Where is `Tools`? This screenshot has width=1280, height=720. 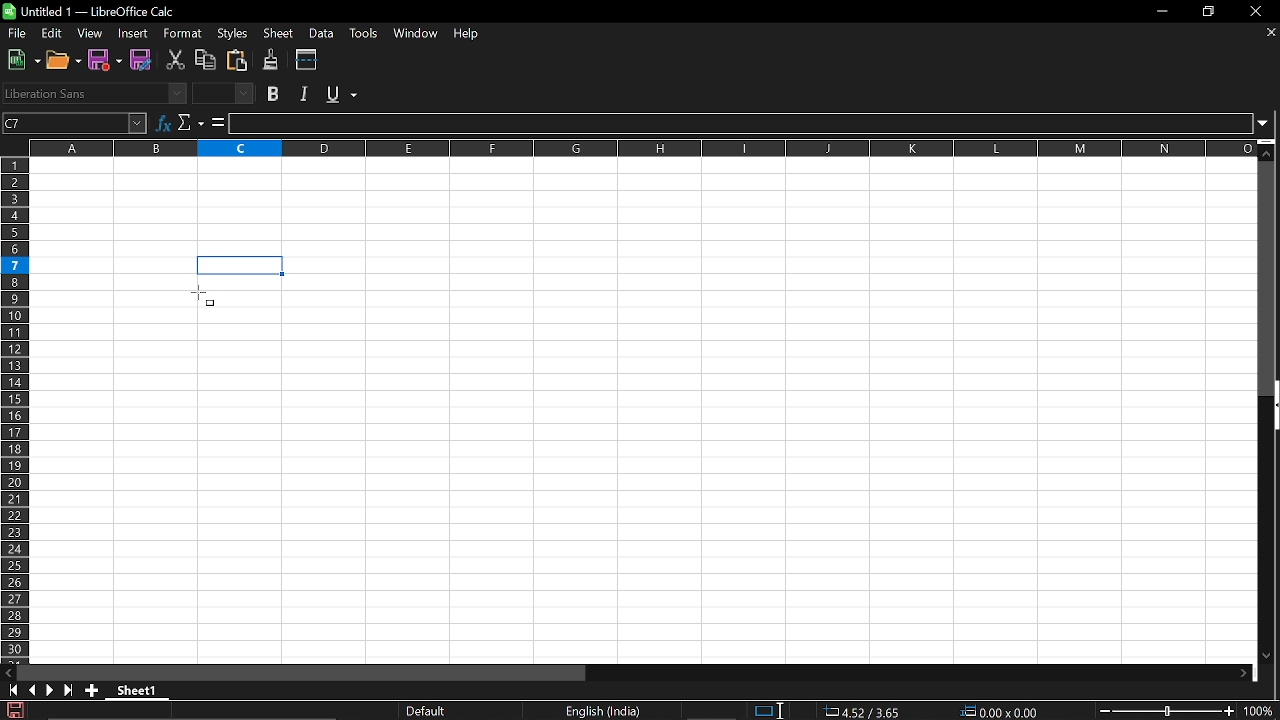 Tools is located at coordinates (362, 34).